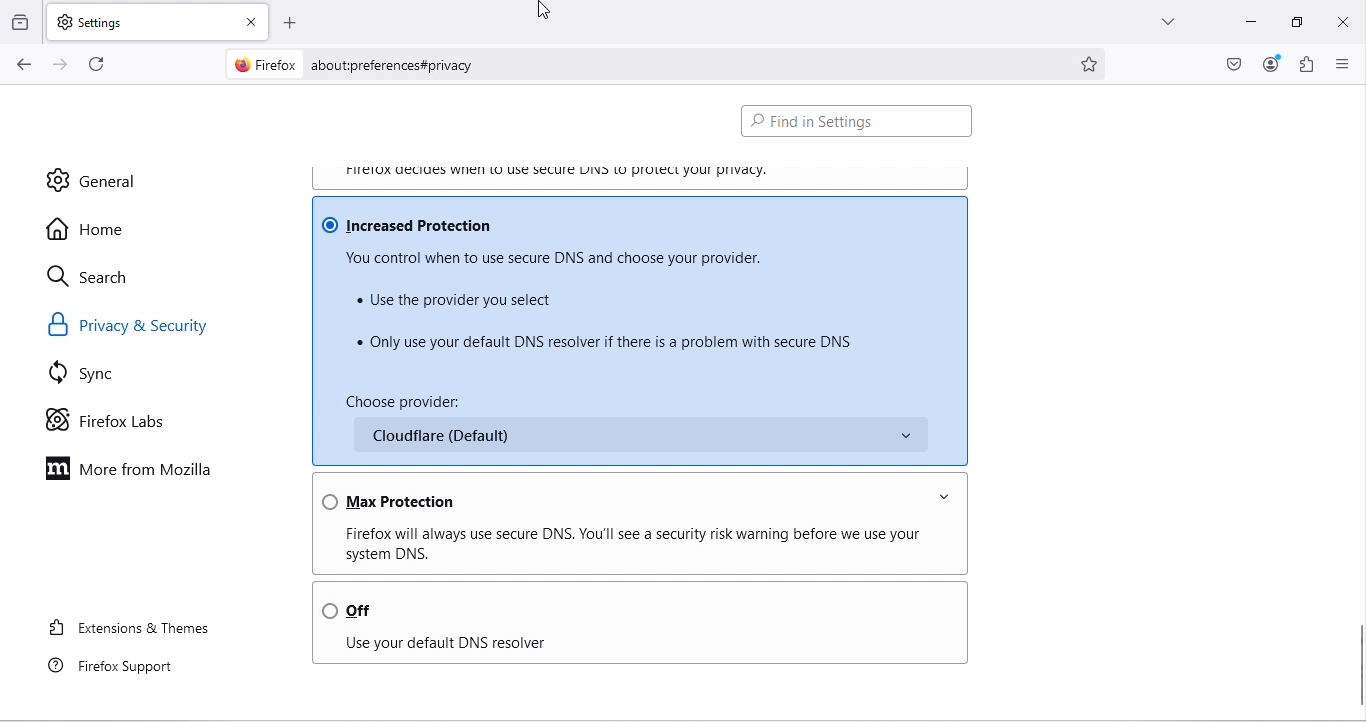 The height and width of the screenshot is (722, 1366). I want to click on You control when to use secure DNS and choose your provider., so click(561, 258).